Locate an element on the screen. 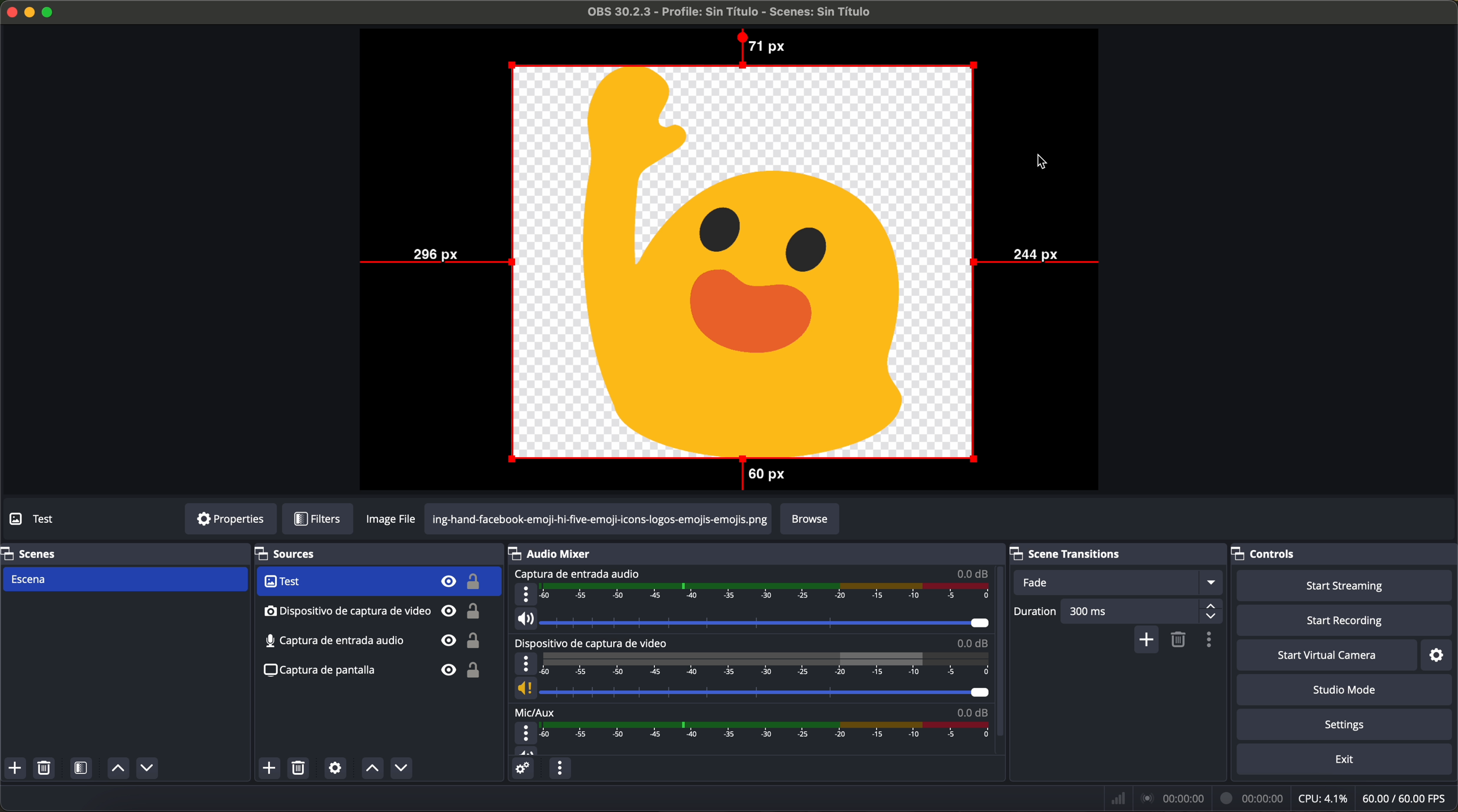 The image size is (1458, 812). scroll down is located at coordinates (1001, 640).